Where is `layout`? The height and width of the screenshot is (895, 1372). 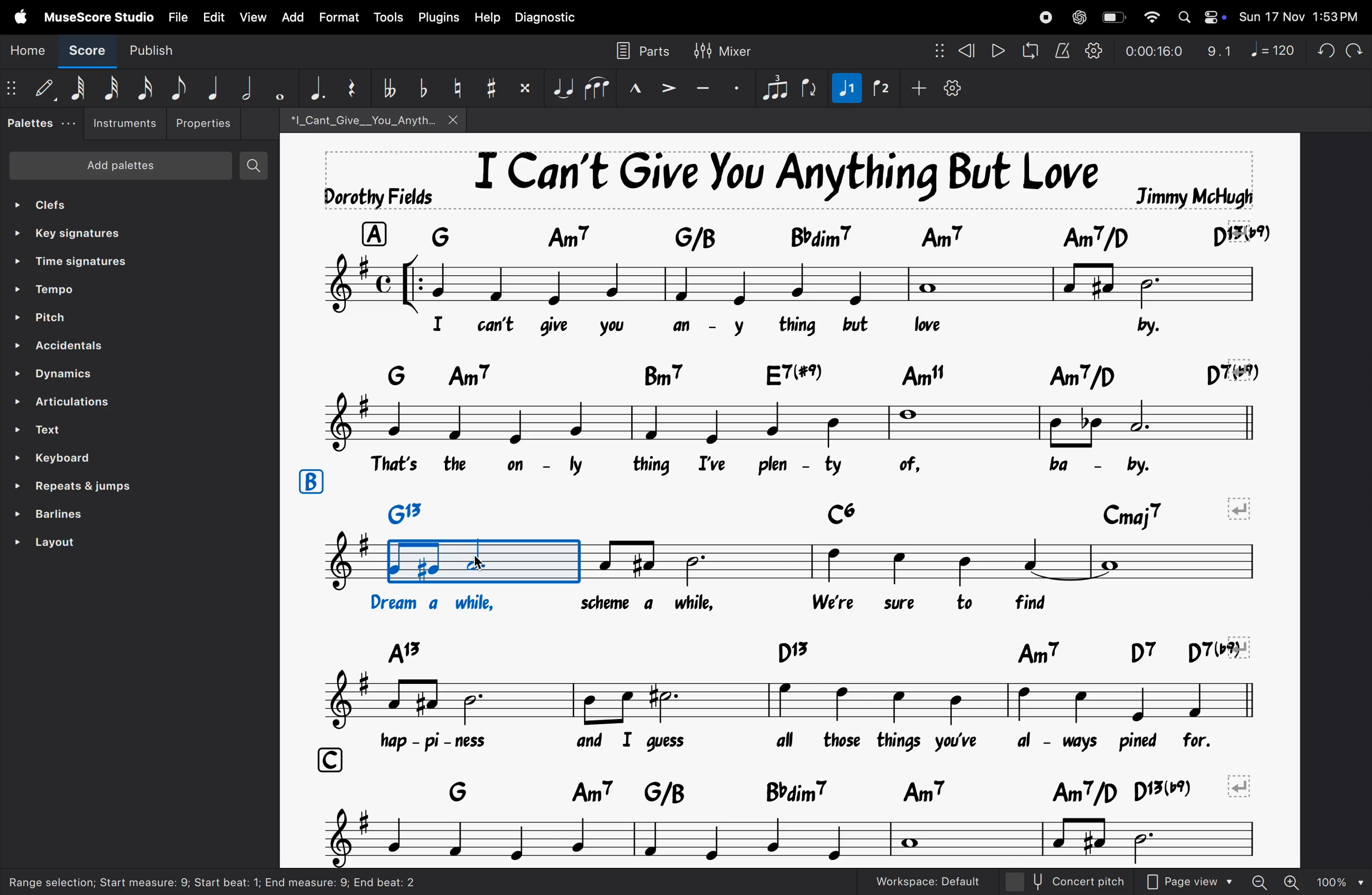 layout is located at coordinates (49, 541).